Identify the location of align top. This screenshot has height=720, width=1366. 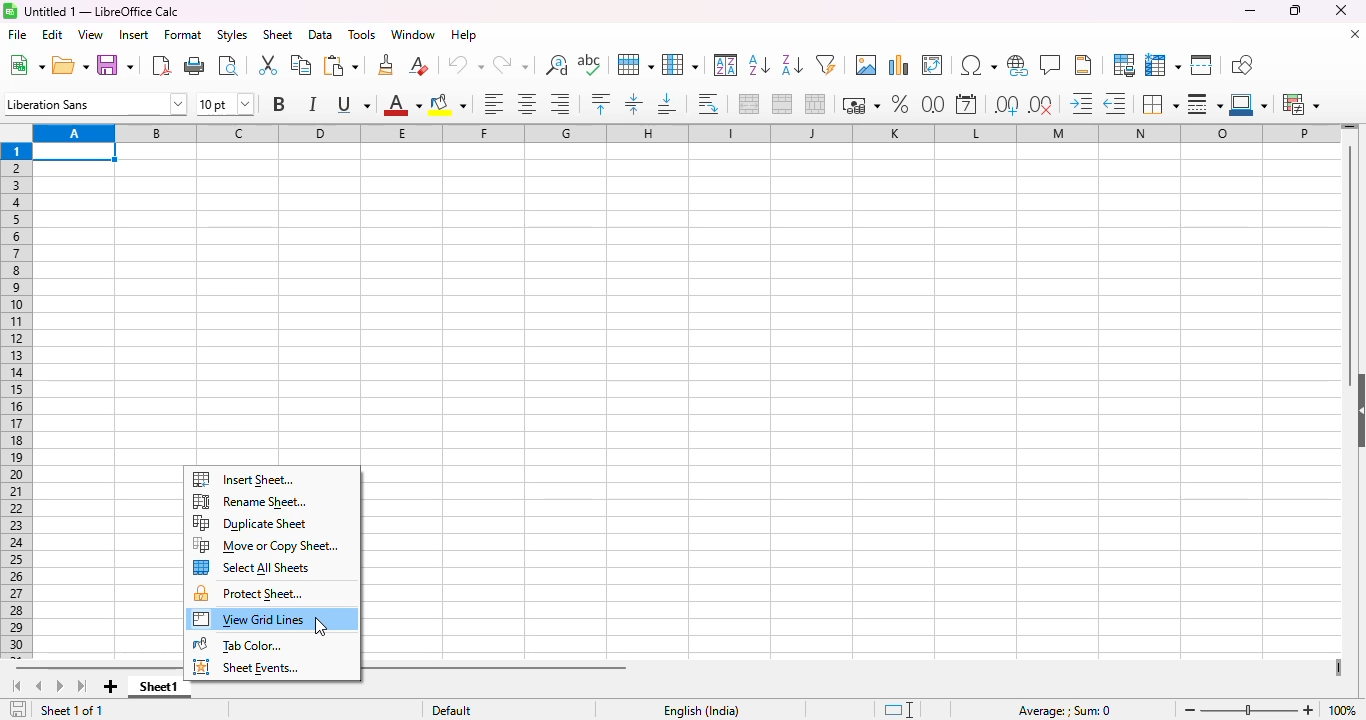
(601, 104).